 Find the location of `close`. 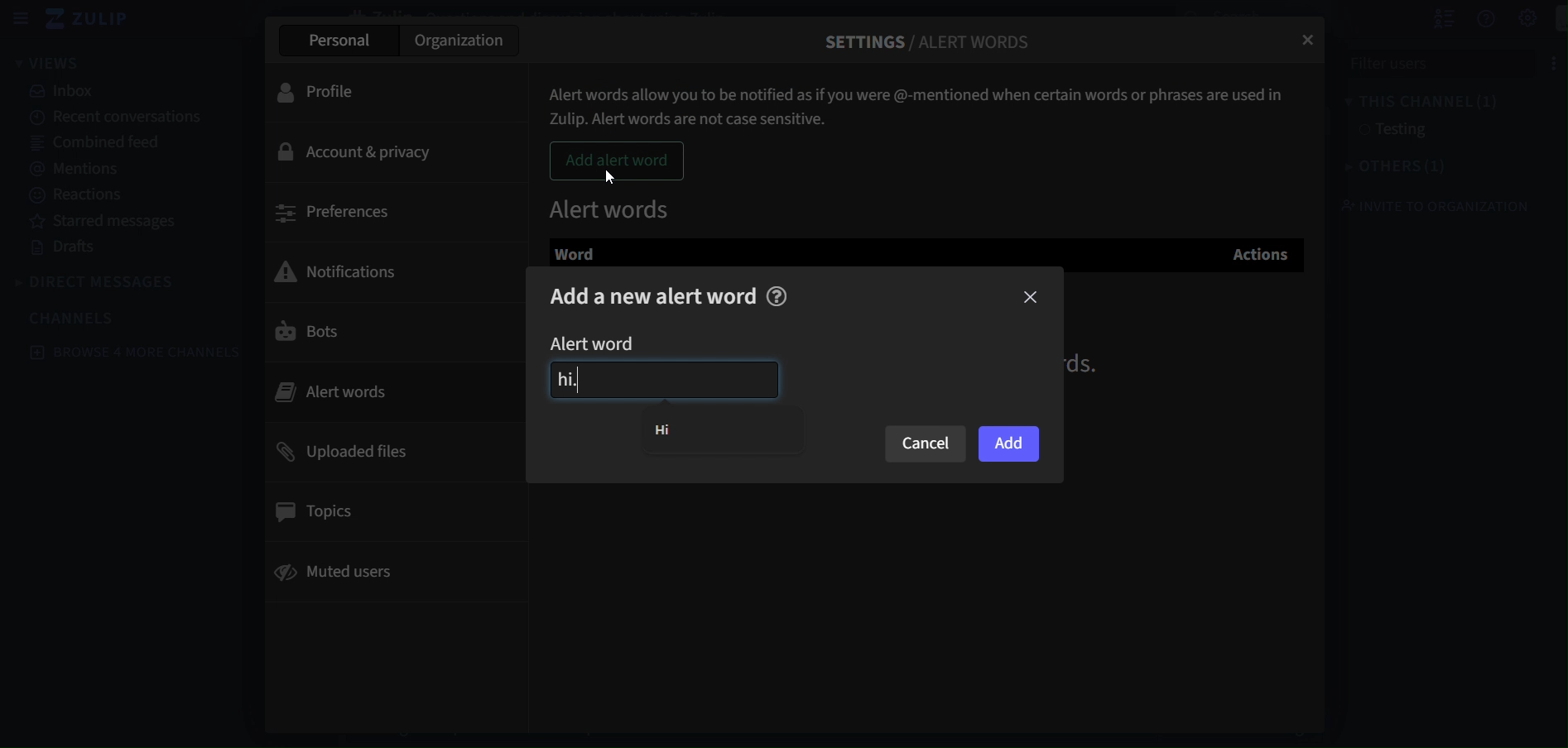

close is located at coordinates (1311, 41).